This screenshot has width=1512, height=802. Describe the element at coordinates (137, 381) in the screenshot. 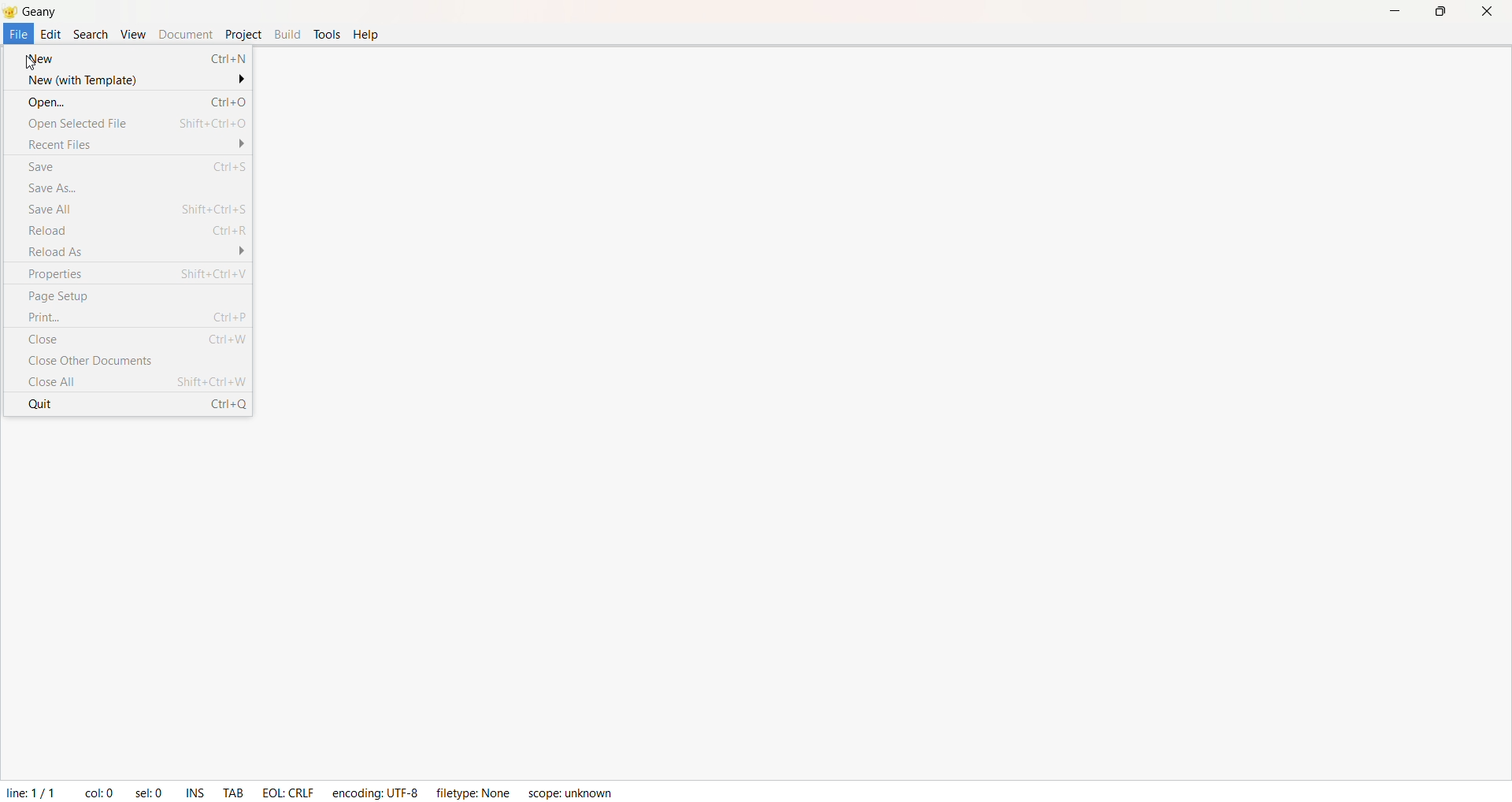

I see `Close All` at that location.